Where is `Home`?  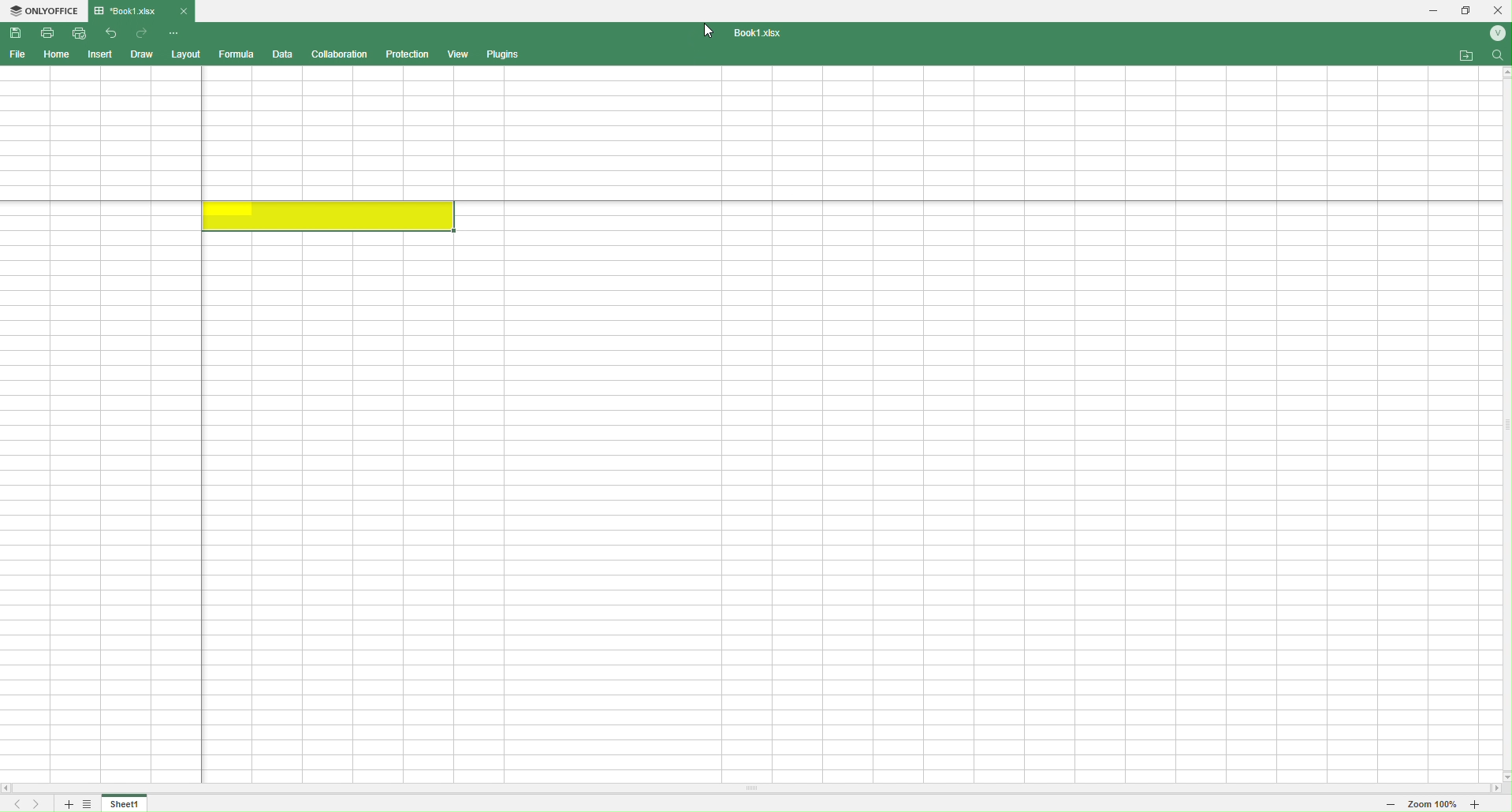 Home is located at coordinates (58, 55).